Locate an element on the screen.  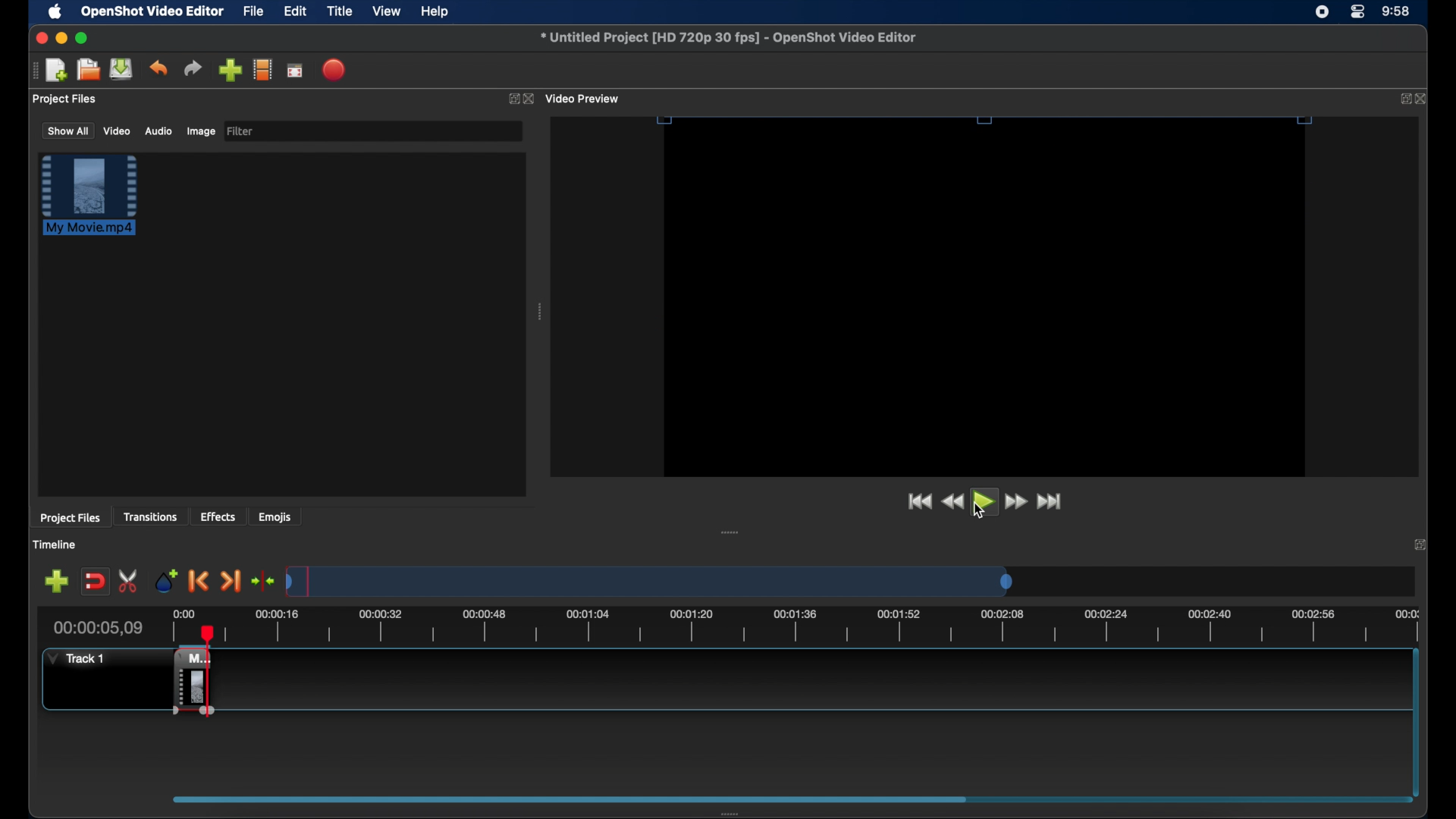
timeline is located at coordinates (55, 544).